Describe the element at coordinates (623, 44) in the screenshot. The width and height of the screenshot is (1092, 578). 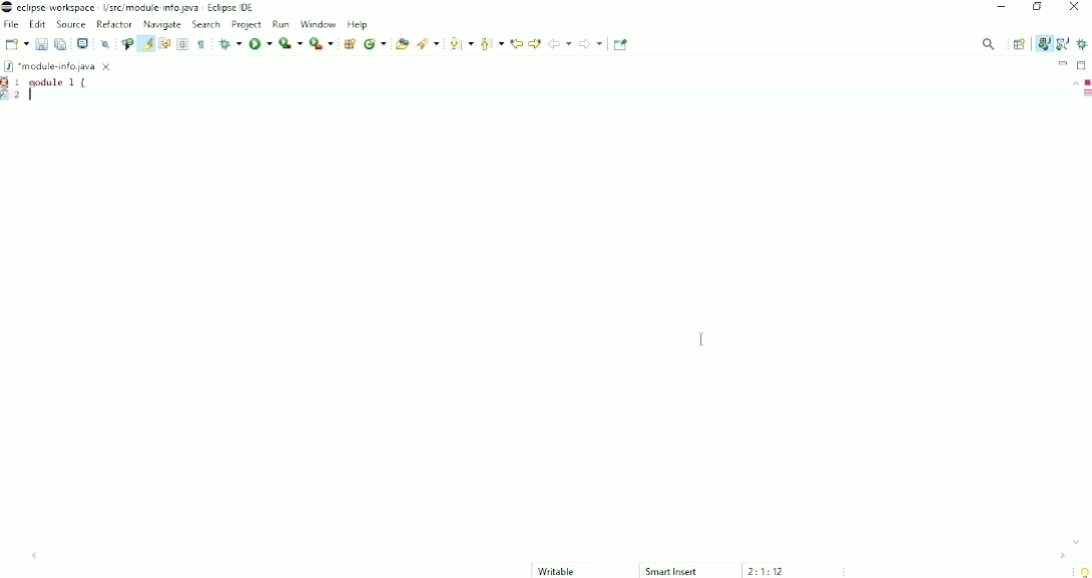
I see `Pin Editor` at that location.